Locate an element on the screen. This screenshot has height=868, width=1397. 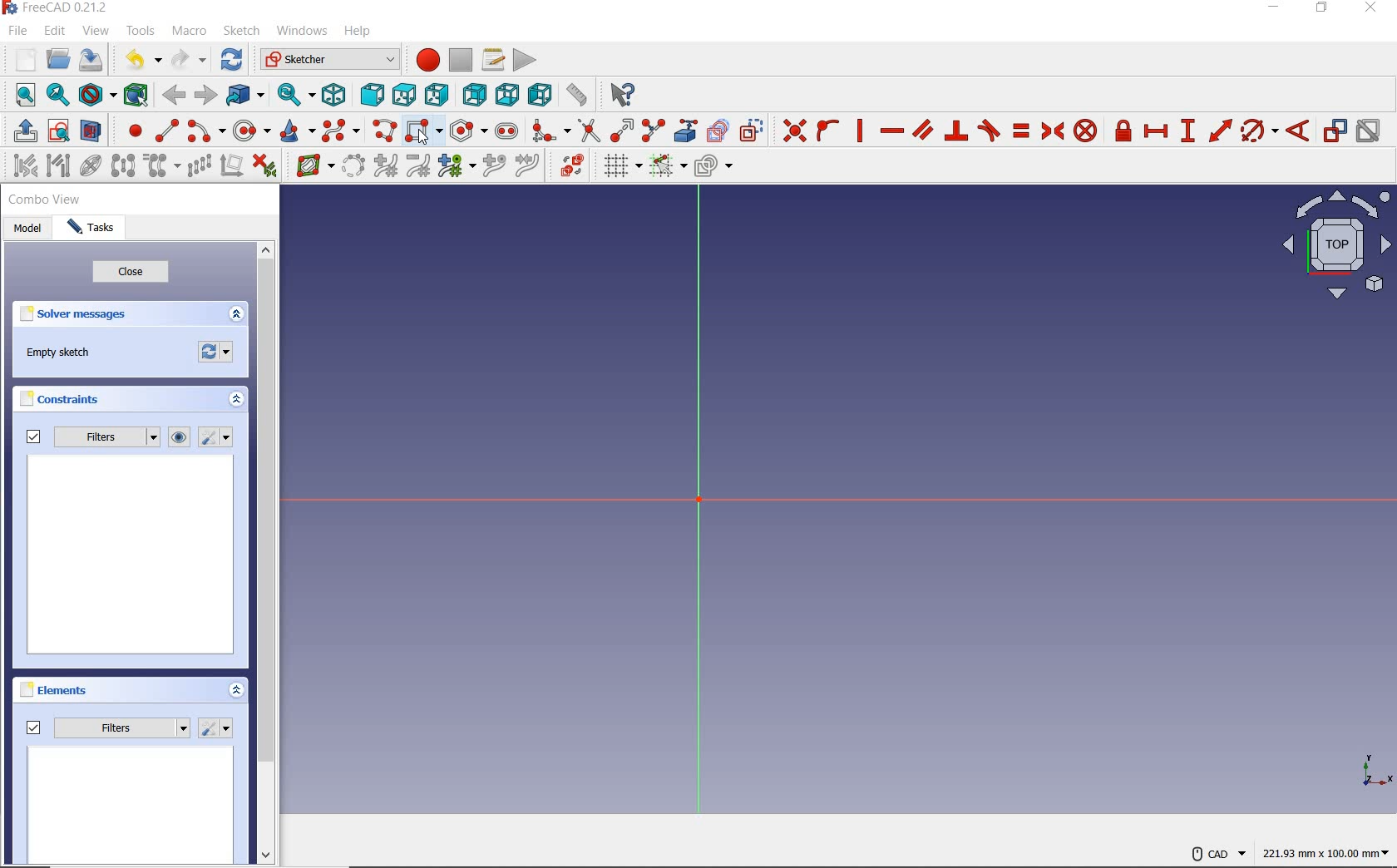
scrollbar is located at coordinates (266, 555).